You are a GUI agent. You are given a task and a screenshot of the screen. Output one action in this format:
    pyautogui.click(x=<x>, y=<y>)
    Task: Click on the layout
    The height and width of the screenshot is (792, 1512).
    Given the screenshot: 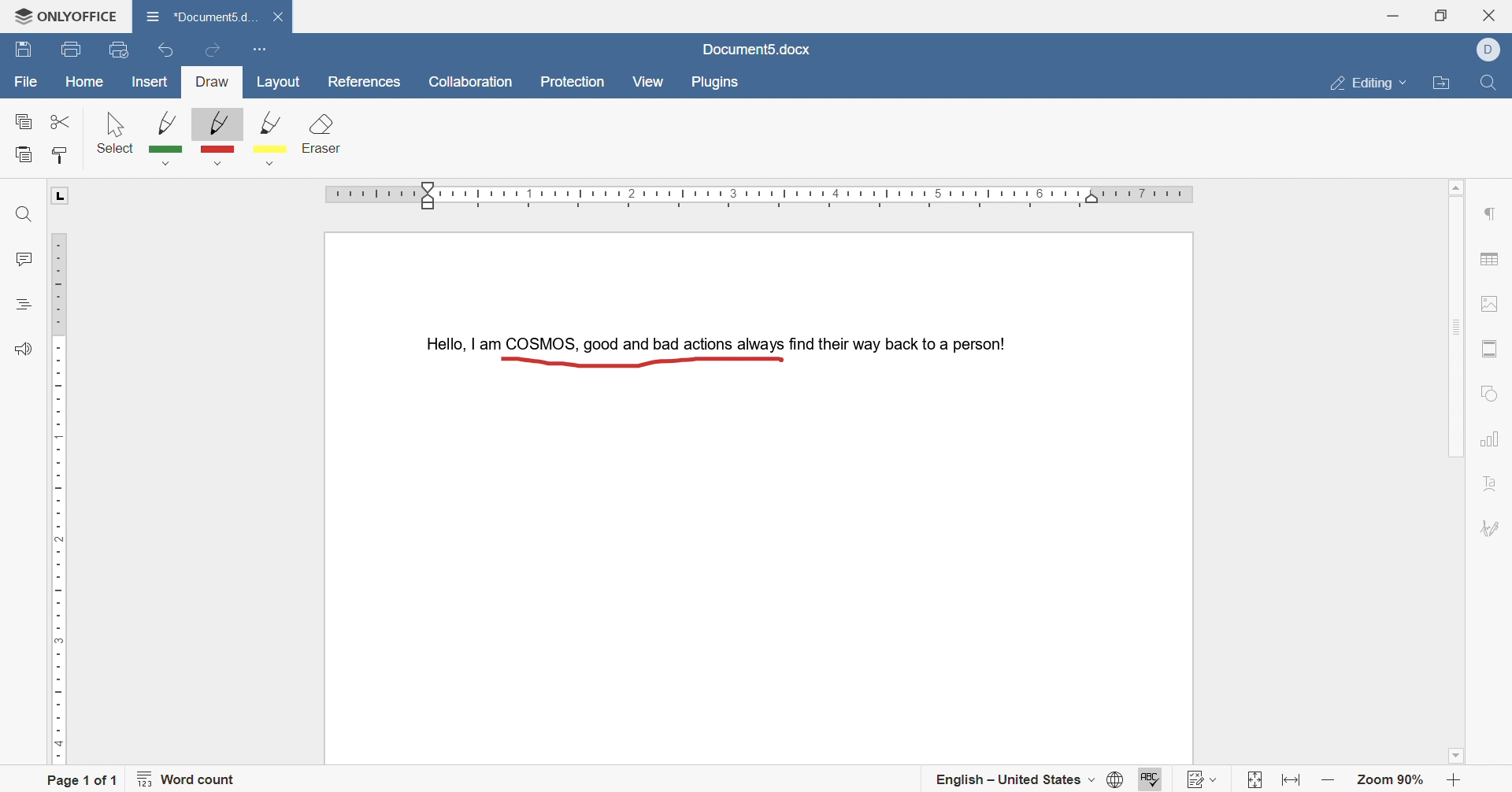 What is the action you would take?
    pyautogui.click(x=282, y=83)
    